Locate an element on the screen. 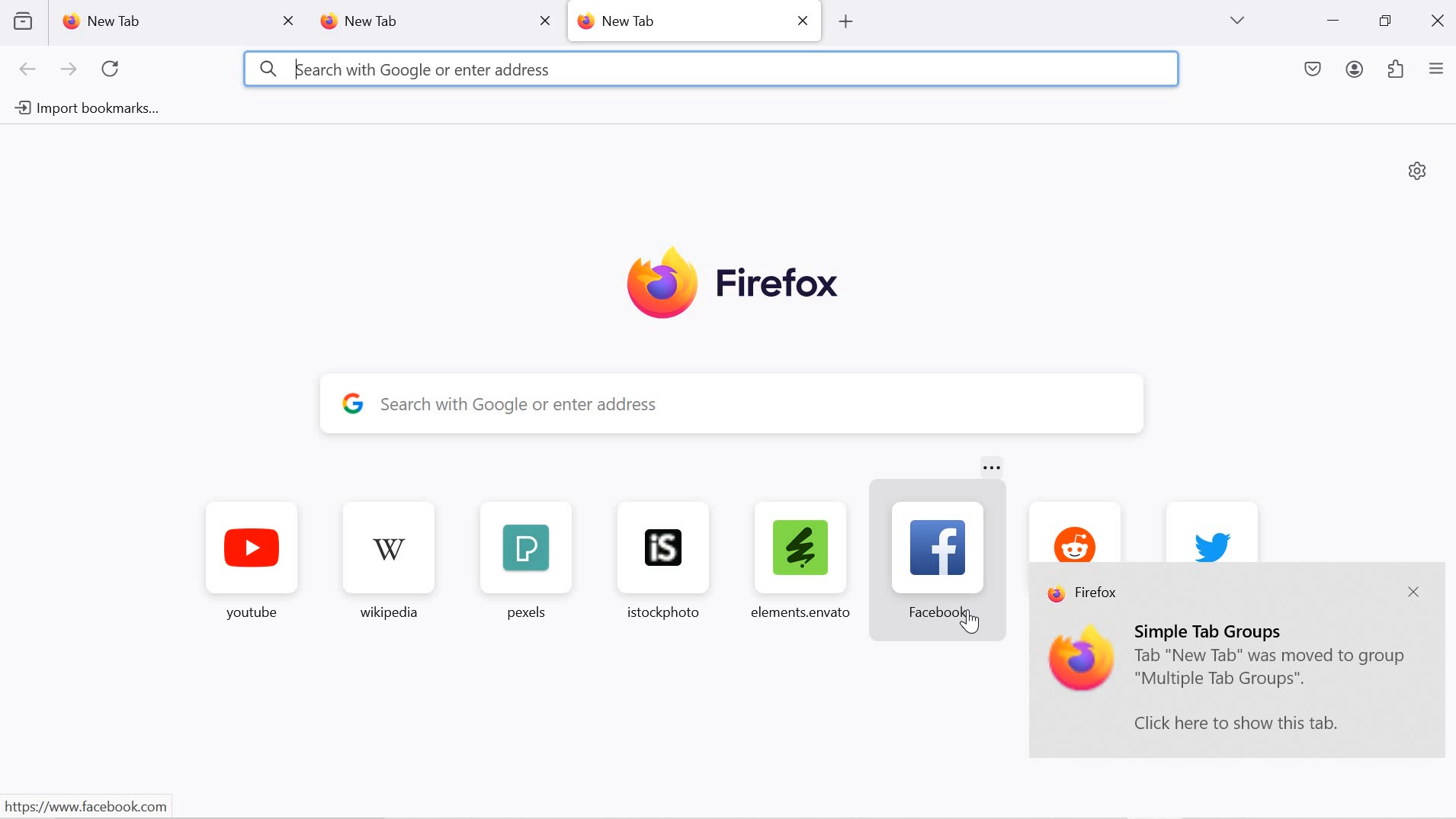 The height and width of the screenshot is (819, 1456). y Search with Google or enter address is located at coordinates (746, 404).